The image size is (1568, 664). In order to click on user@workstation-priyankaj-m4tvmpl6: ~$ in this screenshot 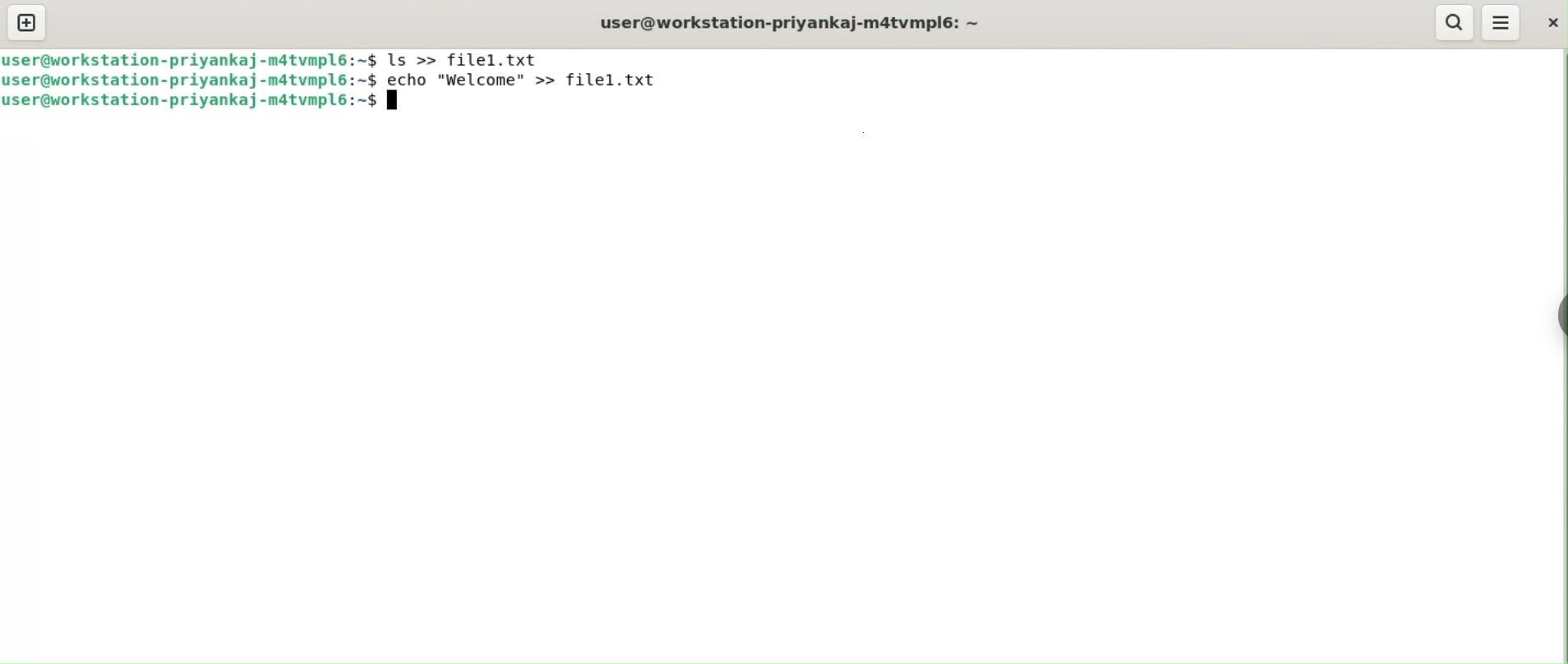, I will do `click(188, 59)`.